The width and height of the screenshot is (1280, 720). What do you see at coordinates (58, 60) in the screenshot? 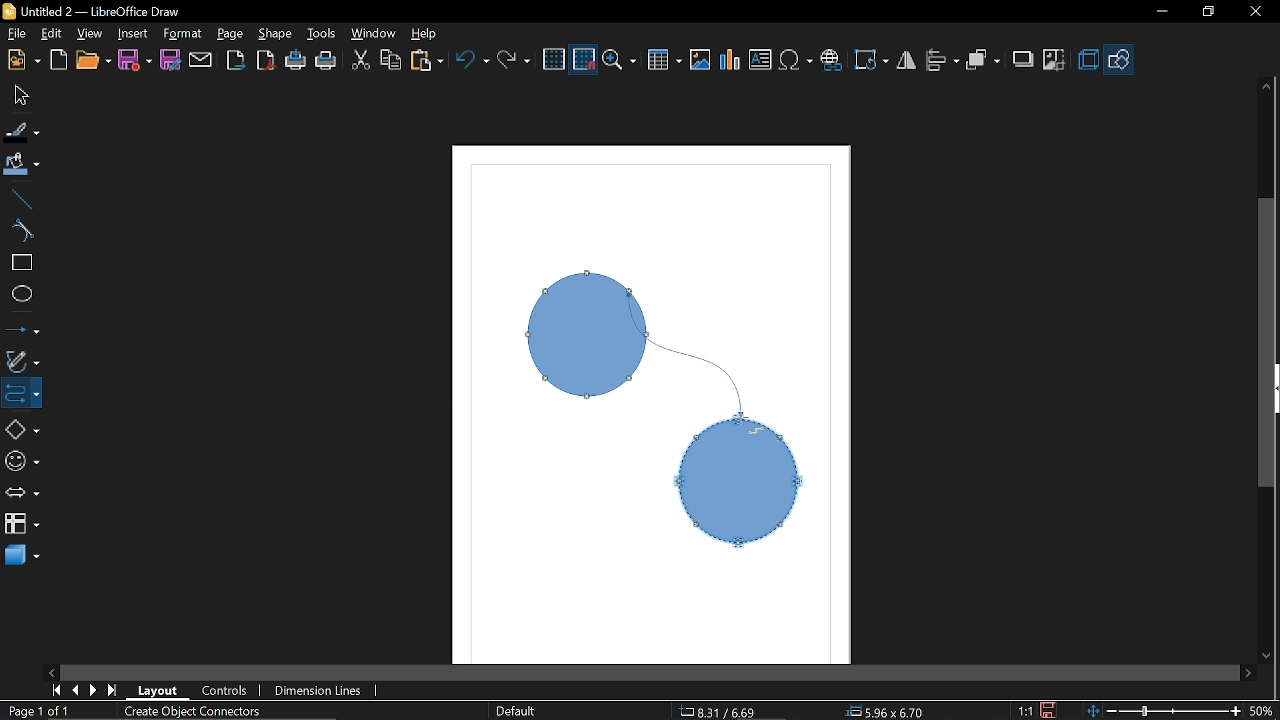
I see `Open template` at bounding box center [58, 60].